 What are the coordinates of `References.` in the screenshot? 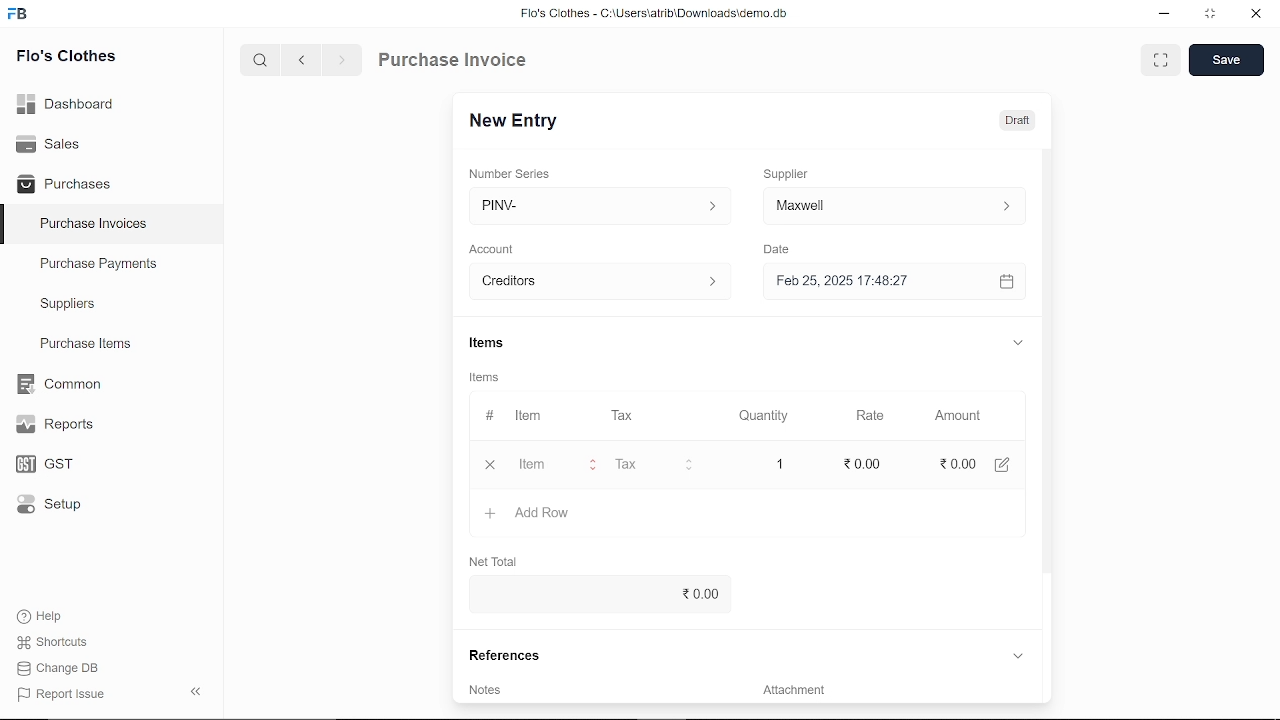 It's located at (508, 655).